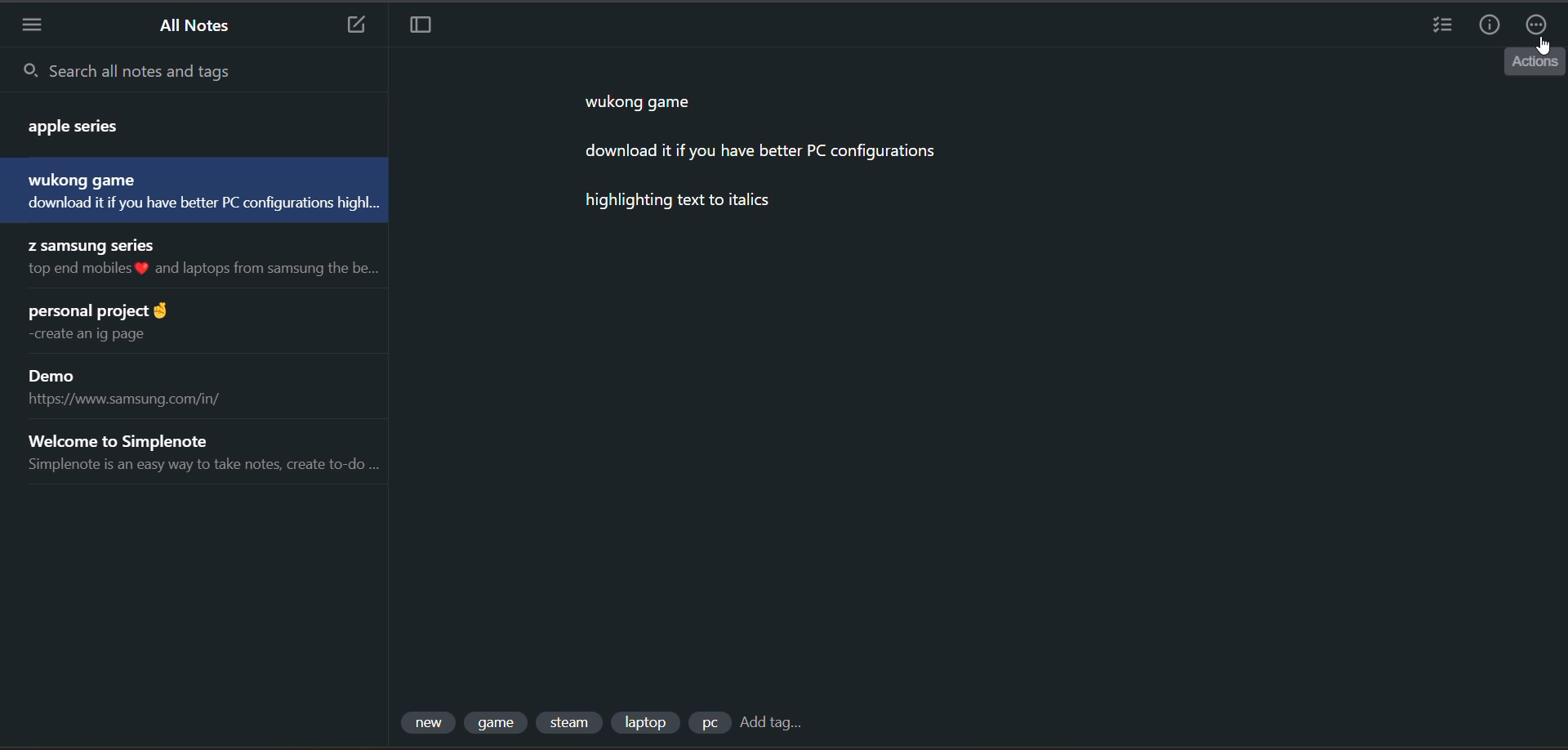  What do you see at coordinates (1538, 63) in the screenshot?
I see `tooltip` at bounding box center [1538, 63].